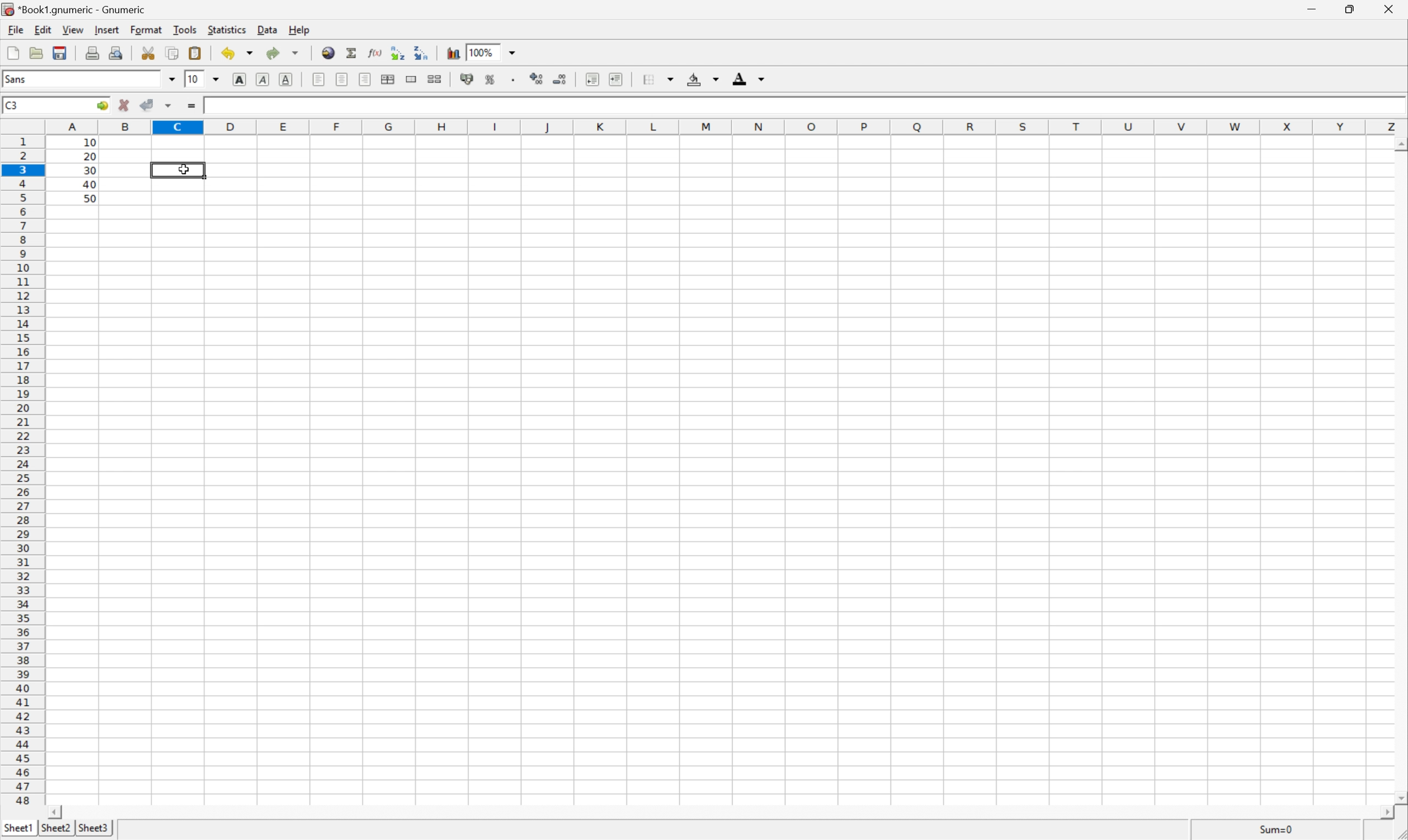  Describe the element at coordinates (388, 79) in the screenshot. I see `Center horizontally across the selection` at that location.